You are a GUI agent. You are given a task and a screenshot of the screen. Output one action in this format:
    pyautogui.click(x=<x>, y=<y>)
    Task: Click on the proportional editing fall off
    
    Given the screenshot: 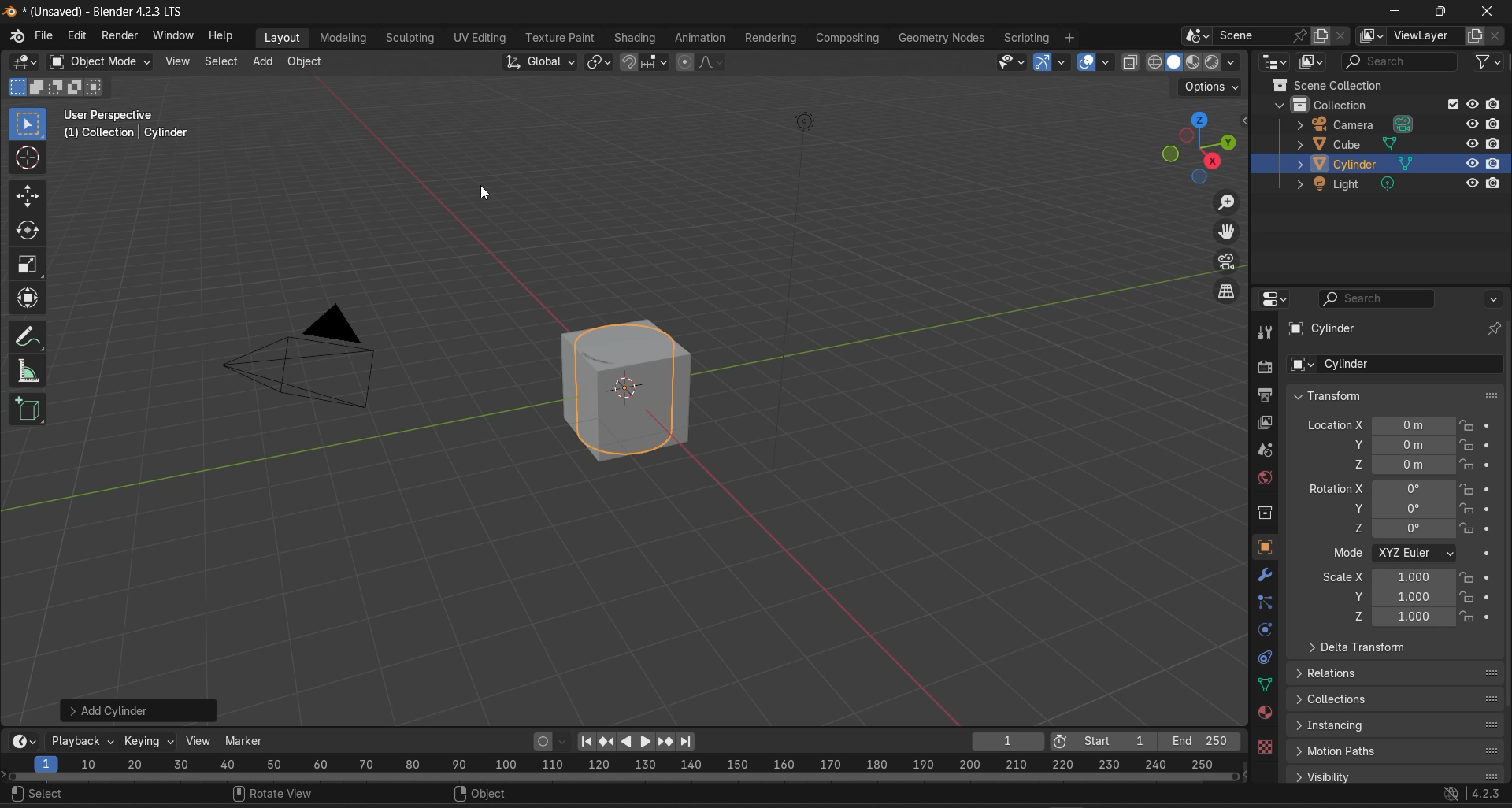 What is the action you would take?
    pyautogui.click(x=716, y=65)
    